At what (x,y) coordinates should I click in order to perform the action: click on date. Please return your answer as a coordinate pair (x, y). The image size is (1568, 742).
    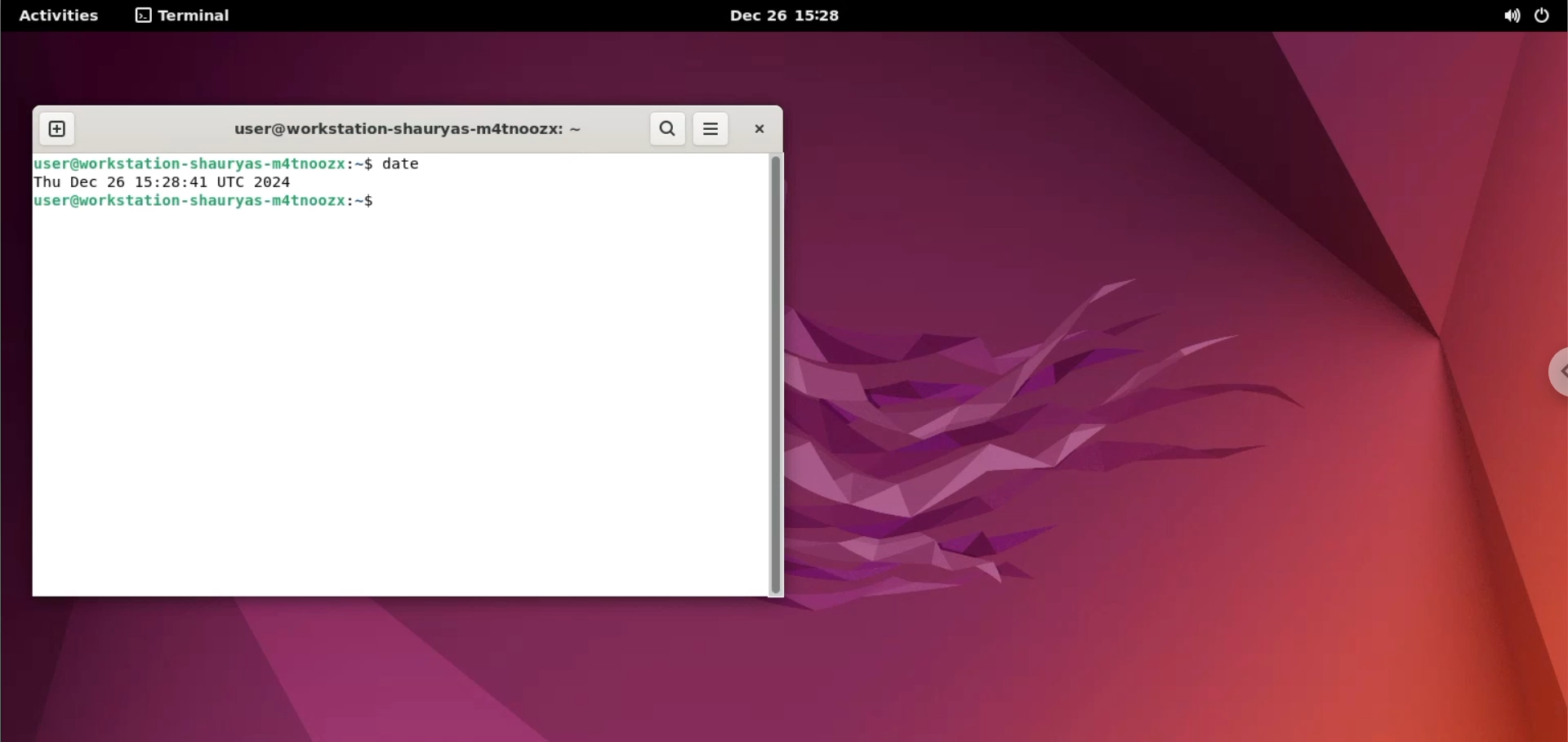
    Looking at the image, I should click on (412, 164).